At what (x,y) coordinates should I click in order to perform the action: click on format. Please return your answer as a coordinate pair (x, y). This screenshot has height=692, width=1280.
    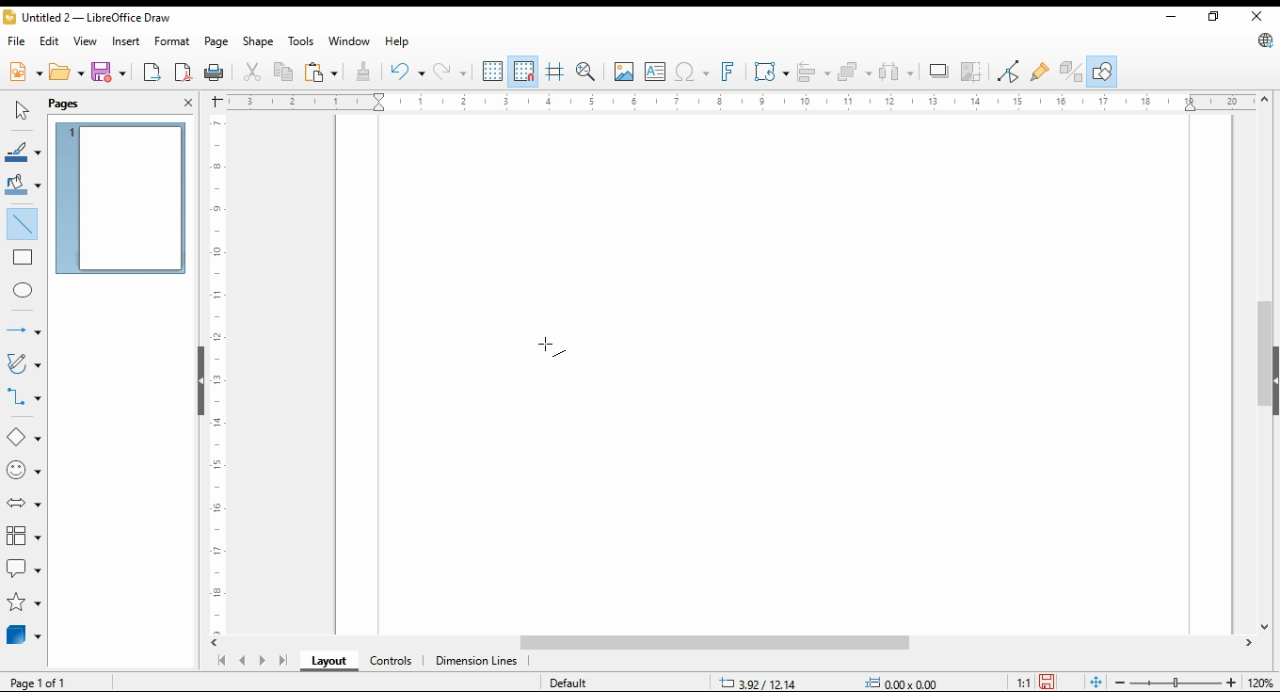
    Looking at the image, I should click on (174, 43).